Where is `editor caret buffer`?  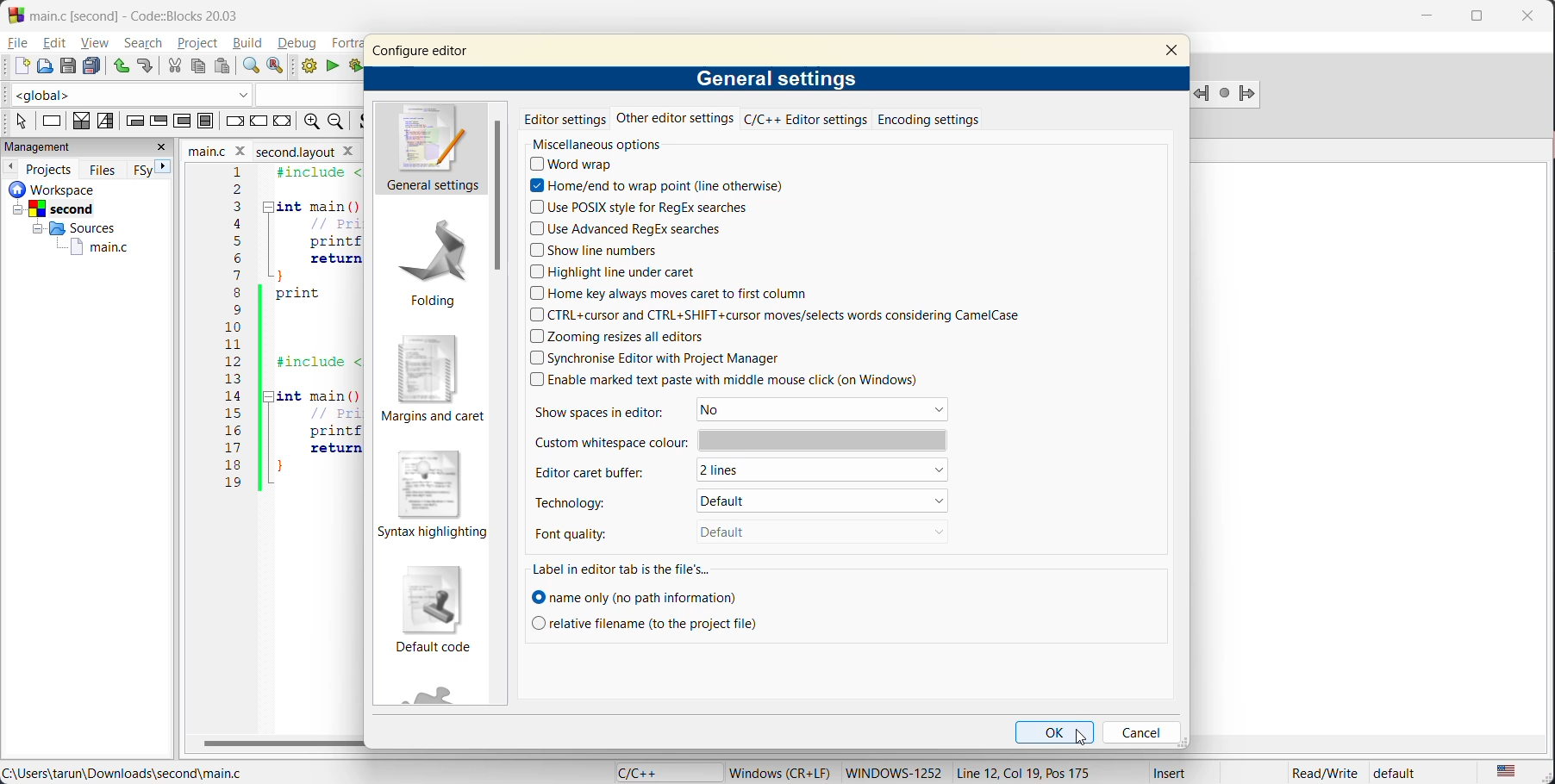 editor caret buffer is located at coordinates (601, 471).